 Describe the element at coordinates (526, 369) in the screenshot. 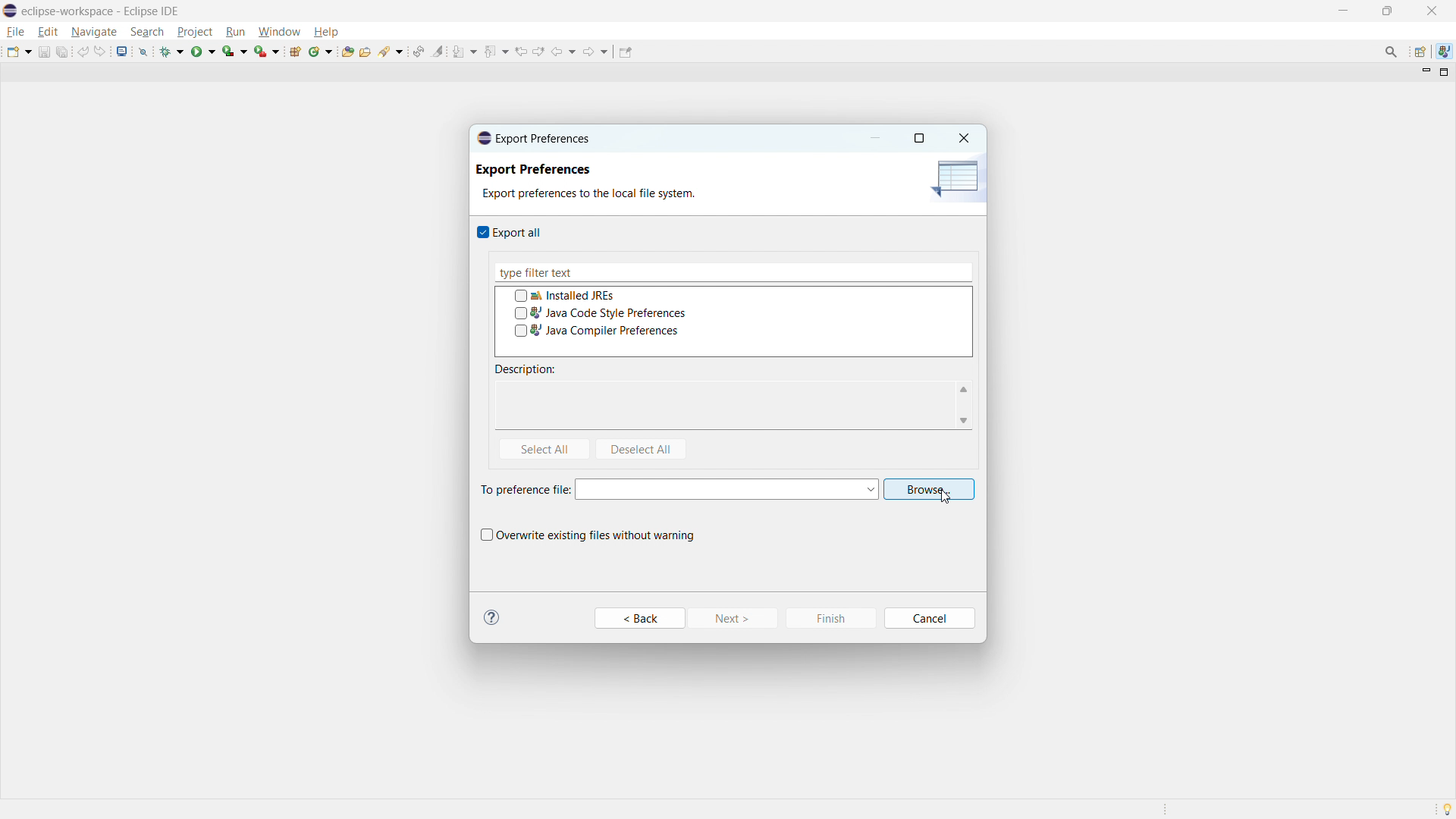

I see `description` at that location.